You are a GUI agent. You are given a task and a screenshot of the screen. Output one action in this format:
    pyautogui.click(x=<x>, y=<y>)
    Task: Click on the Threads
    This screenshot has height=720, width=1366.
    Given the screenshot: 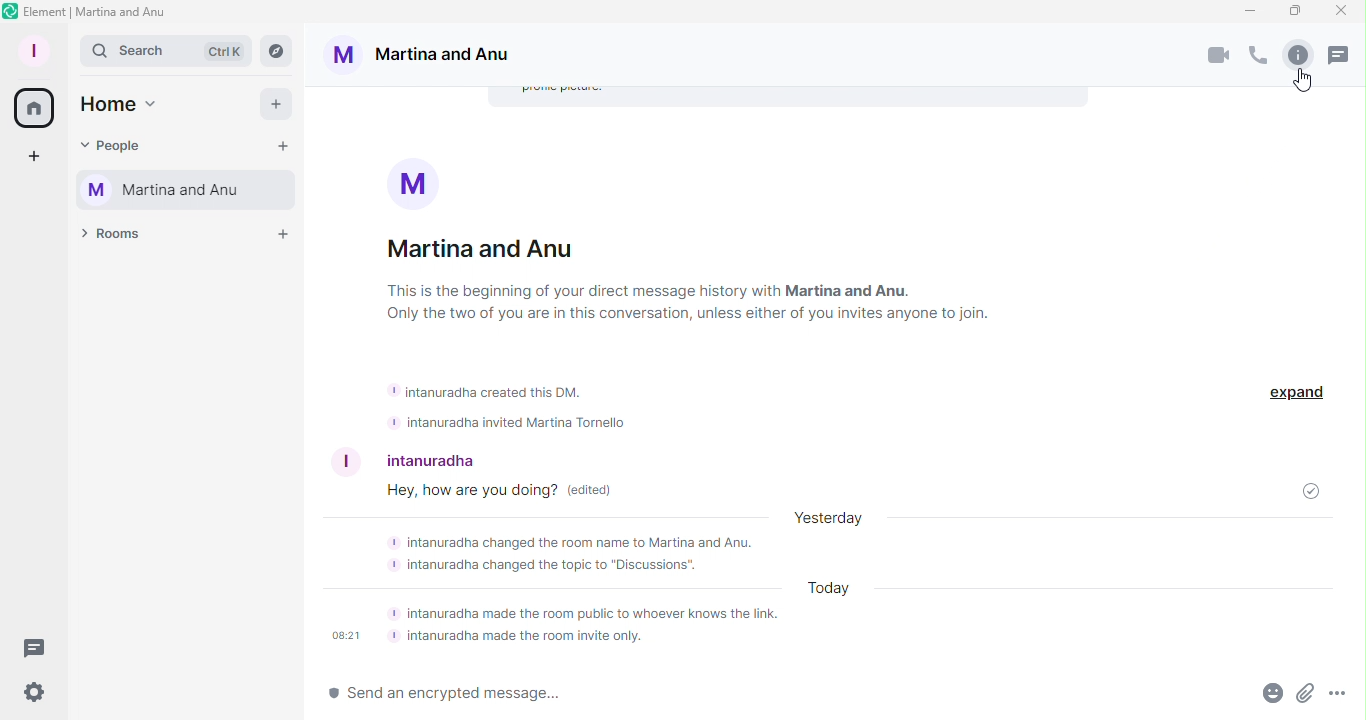 What is the action you would take?
    pyautogui.click(x=40, y=647)
    